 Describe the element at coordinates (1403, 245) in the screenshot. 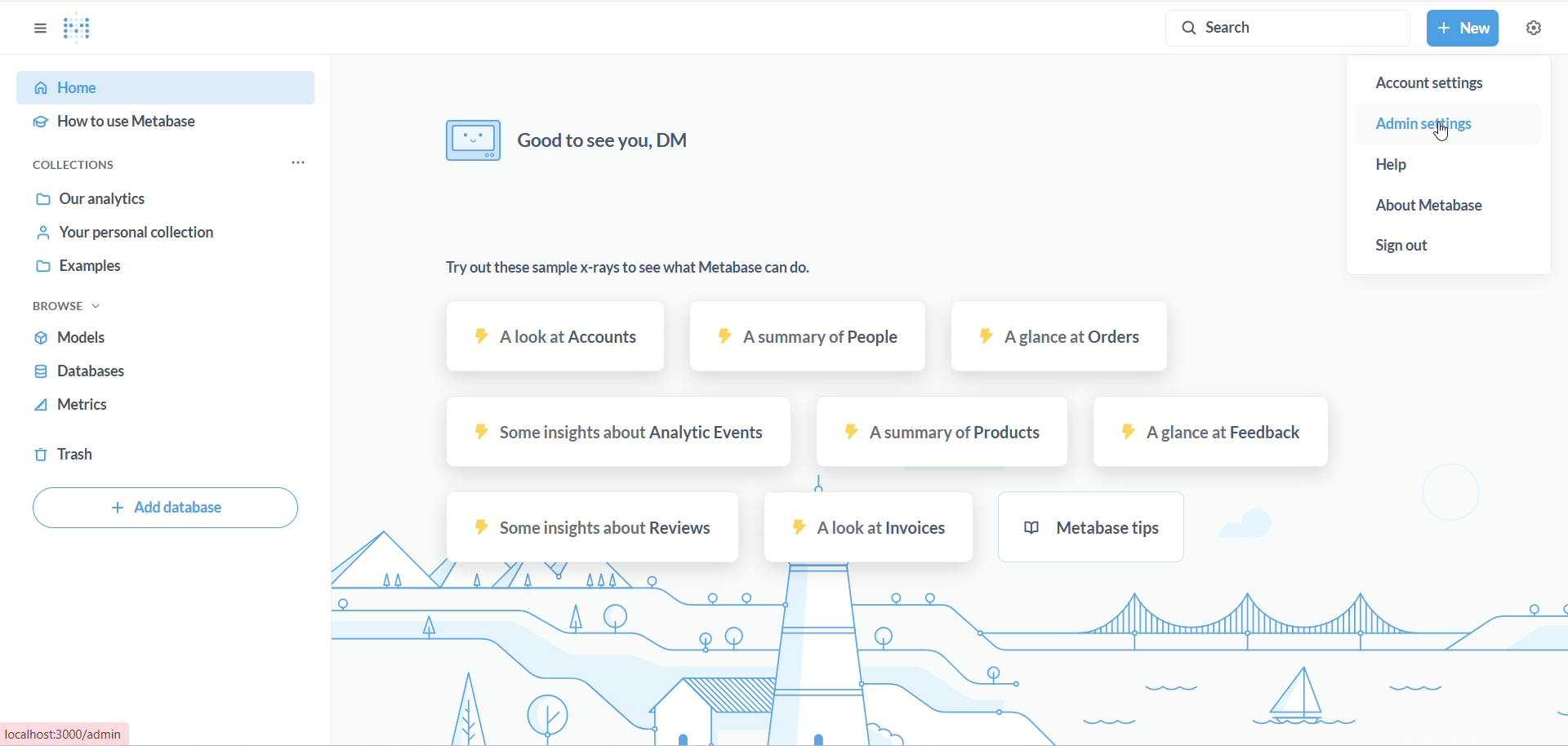

I see `sign out` at that location.